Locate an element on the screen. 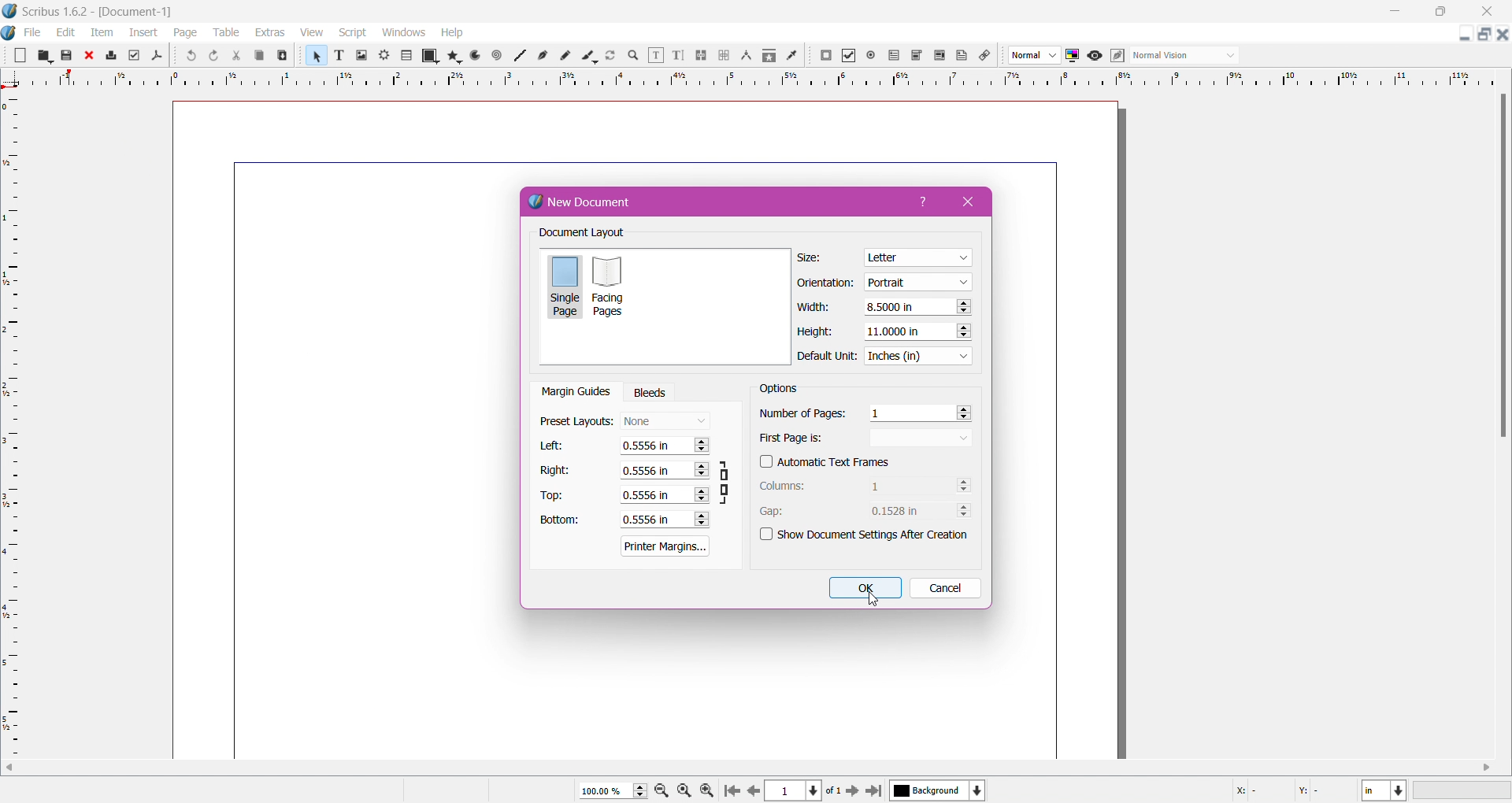  Help is located at coordinates (455, 33).